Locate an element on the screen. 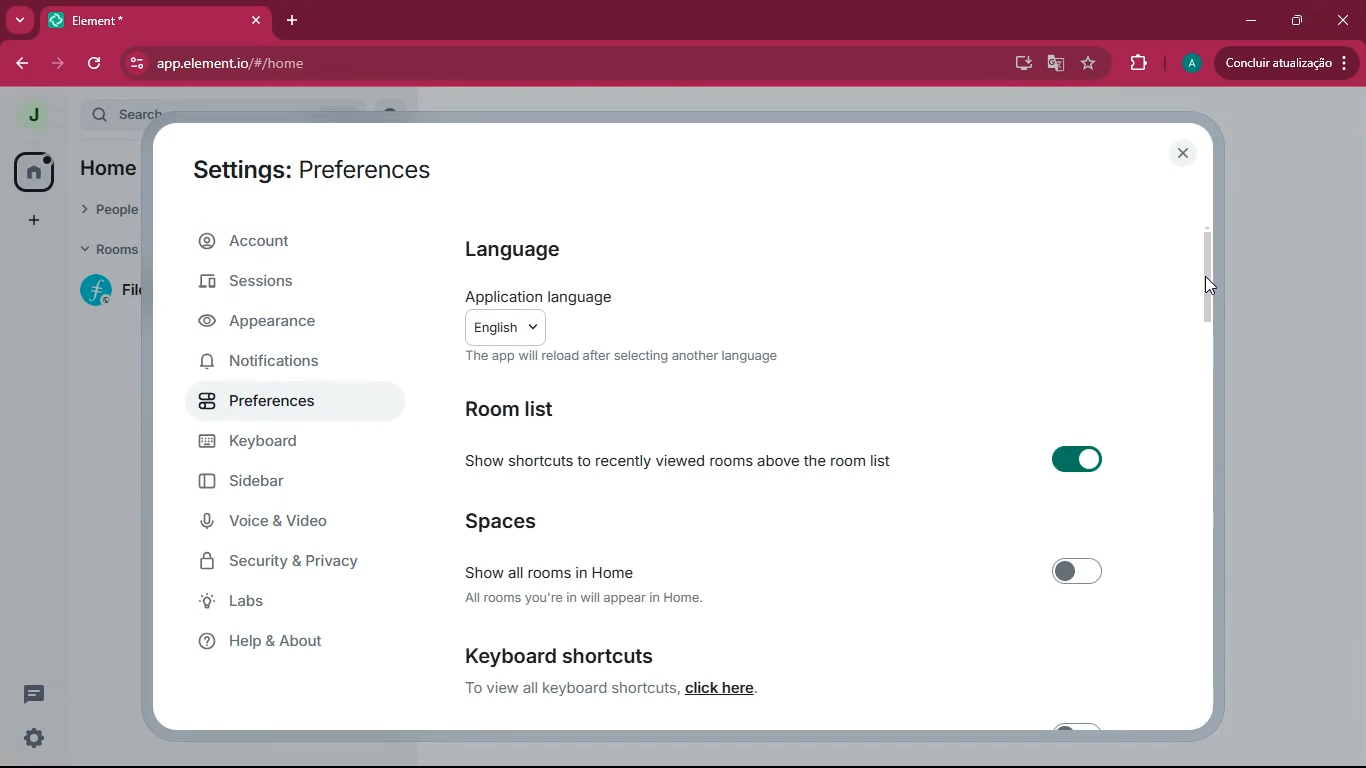 The width and height of the screenshot is (1366, 768). keyboard shortcuts is located at coordinates (587, 655).